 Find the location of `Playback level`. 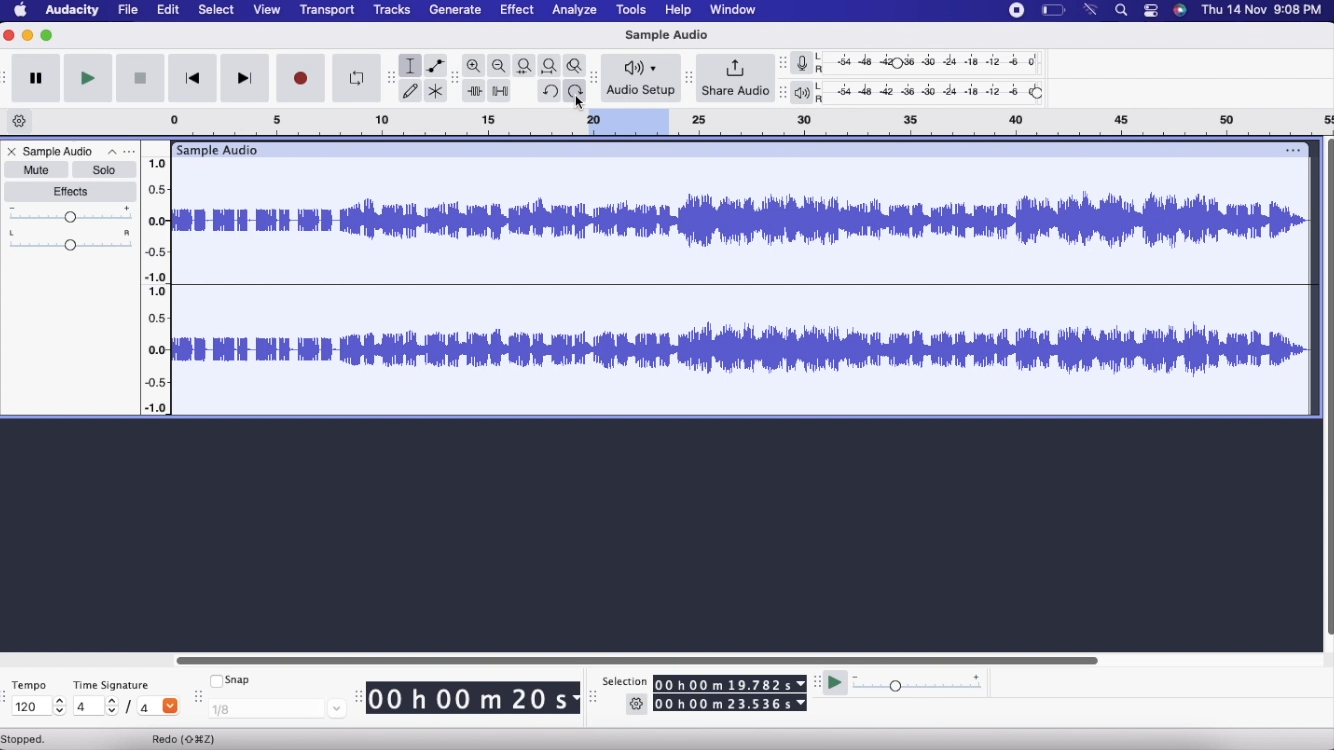

Playback level is located at coordinates (937, 94).